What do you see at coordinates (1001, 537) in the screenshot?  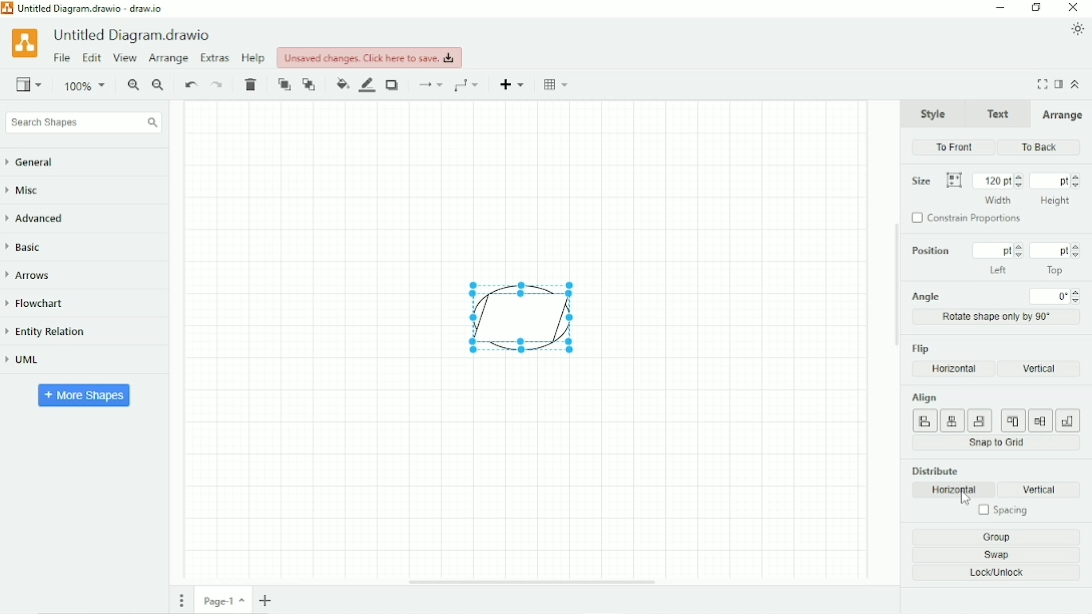 I see `Group` at bounding box center [1001, 537].